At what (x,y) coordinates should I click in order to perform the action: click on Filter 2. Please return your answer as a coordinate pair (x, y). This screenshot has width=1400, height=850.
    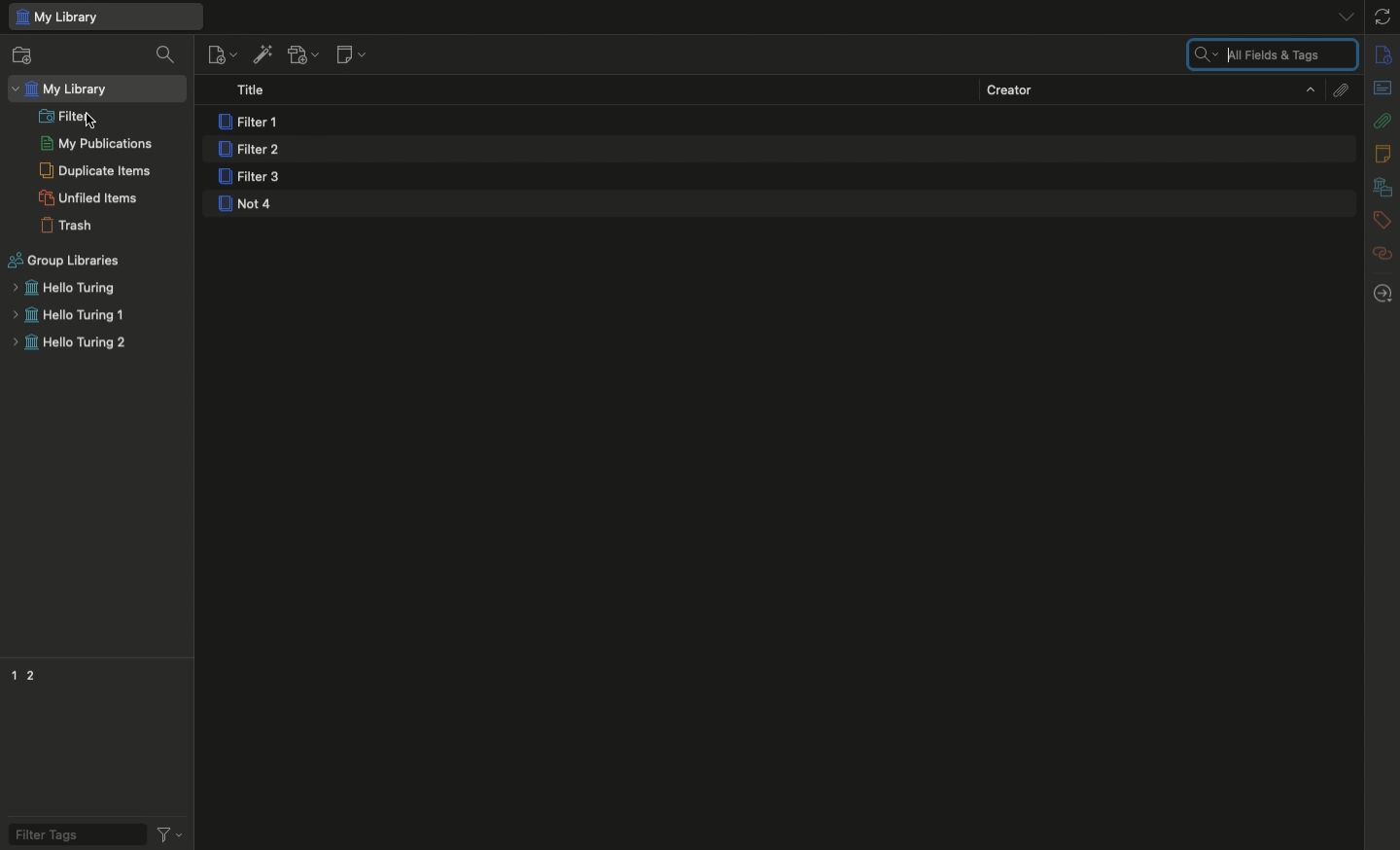
    Looking at the image, I should click on (248, 151).